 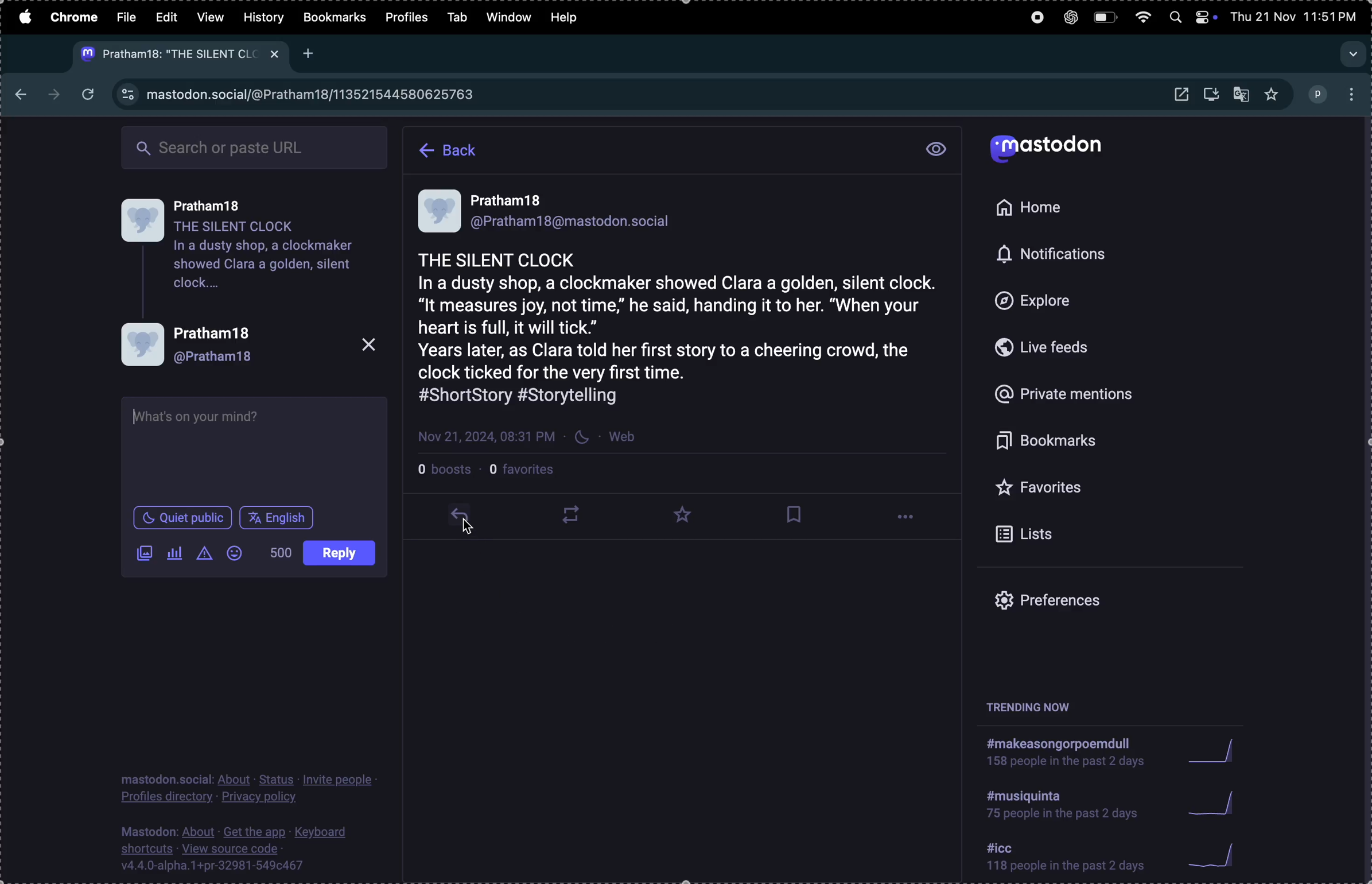 What do you see at coordinates (176, 551) in the screenshot?
I see `pole` at bounding box center [176, 551].